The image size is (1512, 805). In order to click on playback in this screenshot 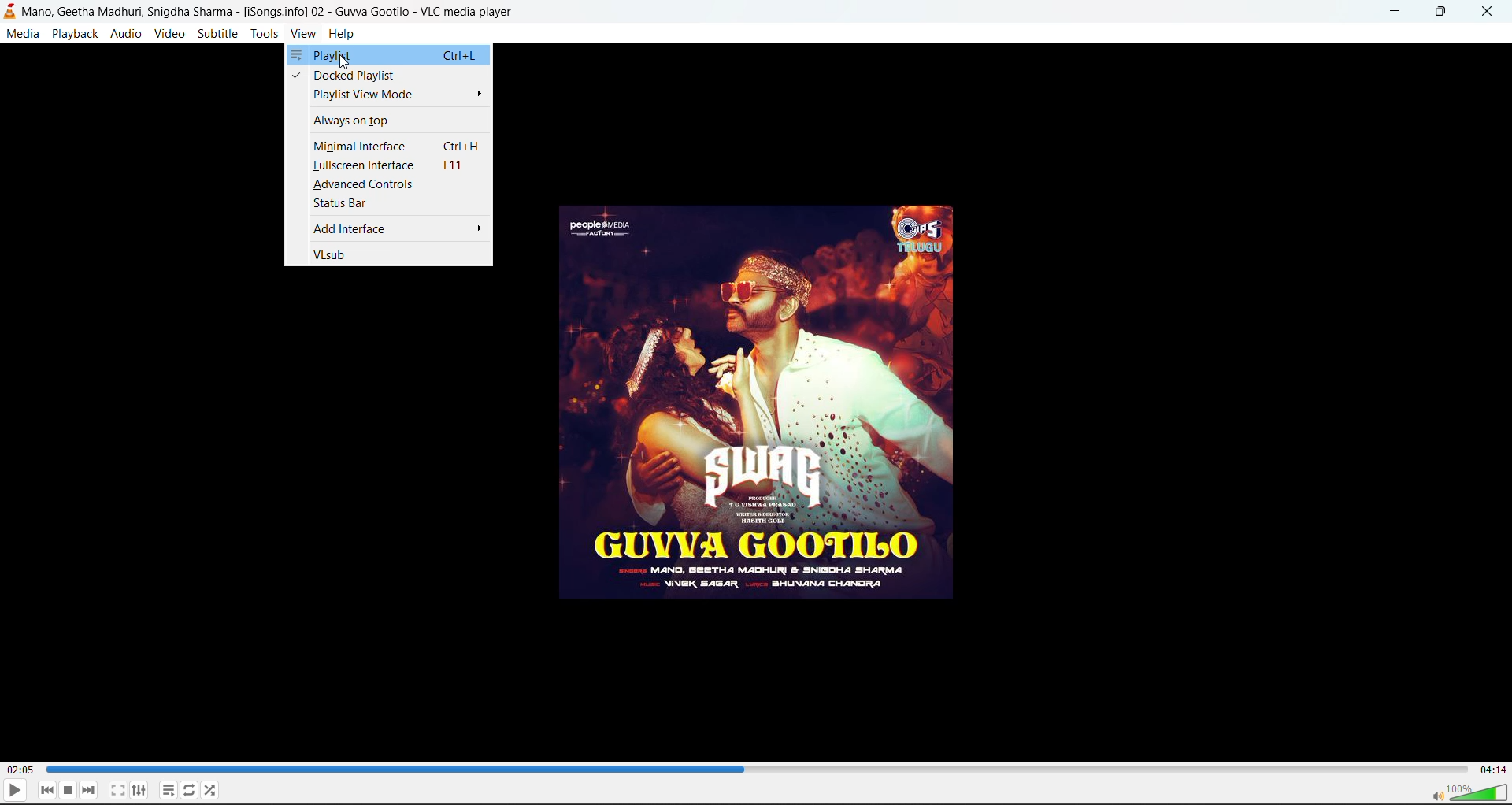, I will do `click(75, 33)`.